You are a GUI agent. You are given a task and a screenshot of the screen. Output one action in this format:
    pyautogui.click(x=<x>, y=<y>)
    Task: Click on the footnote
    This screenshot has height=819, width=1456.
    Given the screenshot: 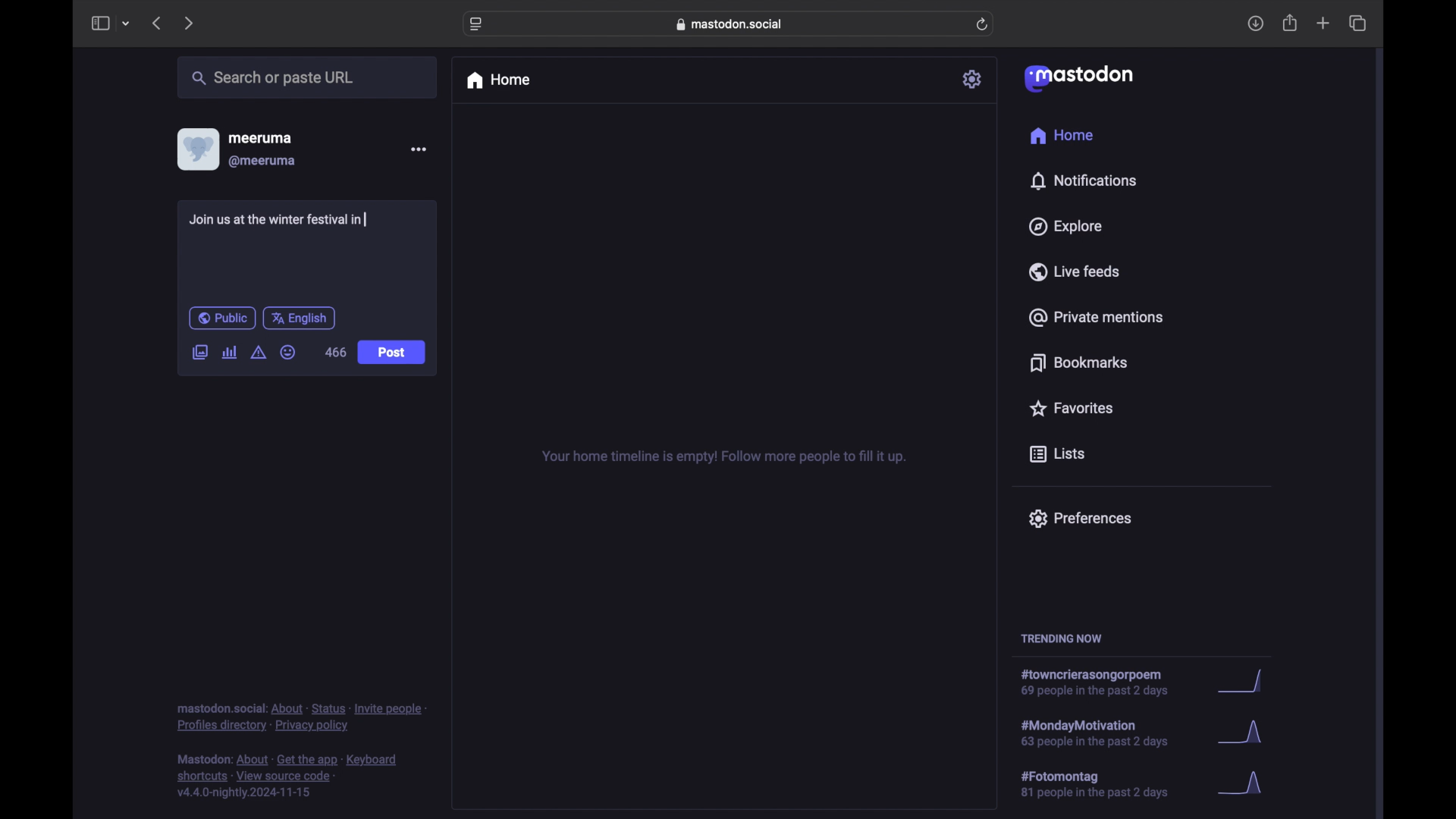 What is the action you would take?
    pyautogui.click(x=290, y=777)
    